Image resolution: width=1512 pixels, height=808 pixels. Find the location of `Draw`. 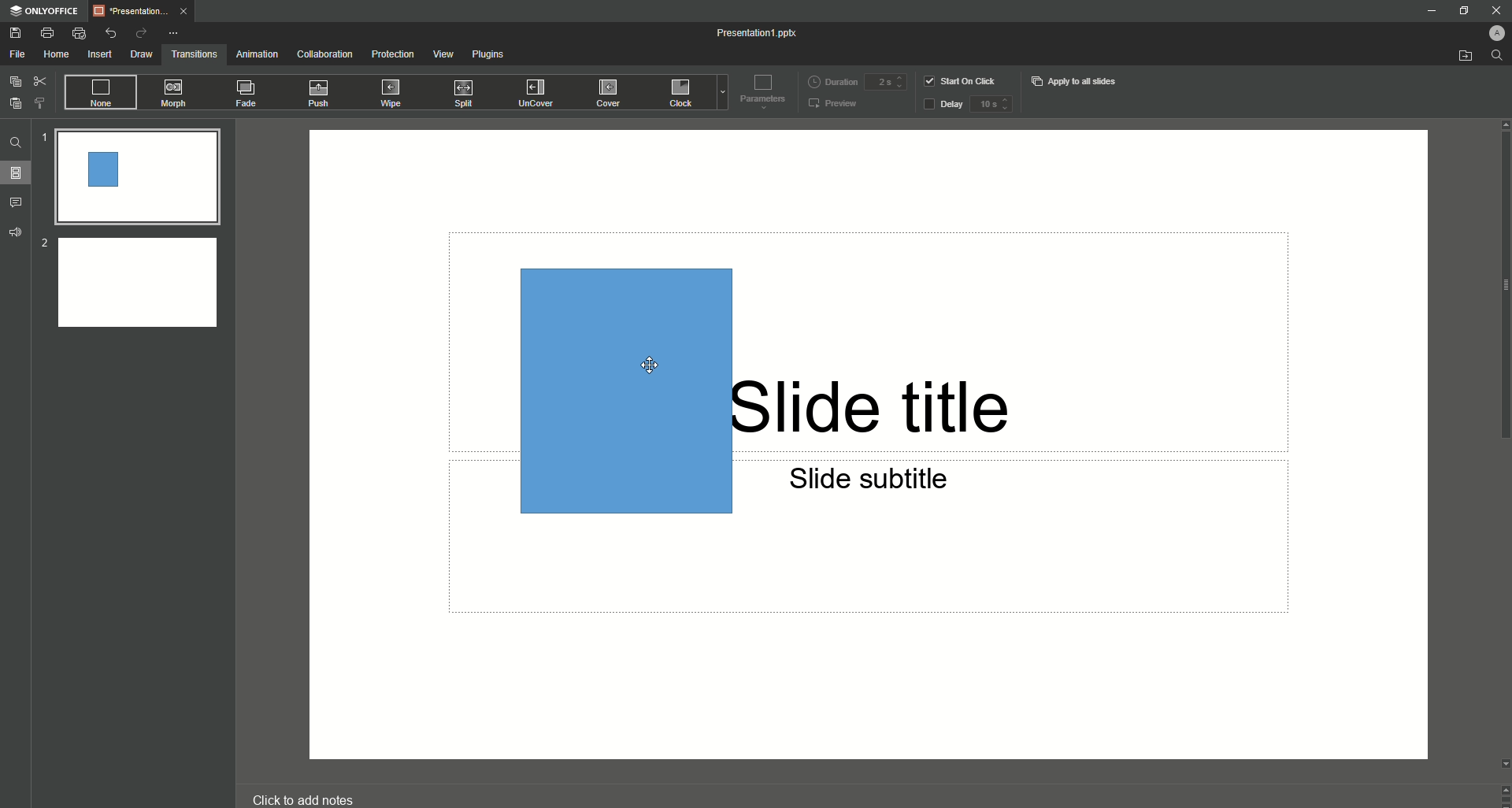

Draw is located at coordinates (140, 54).